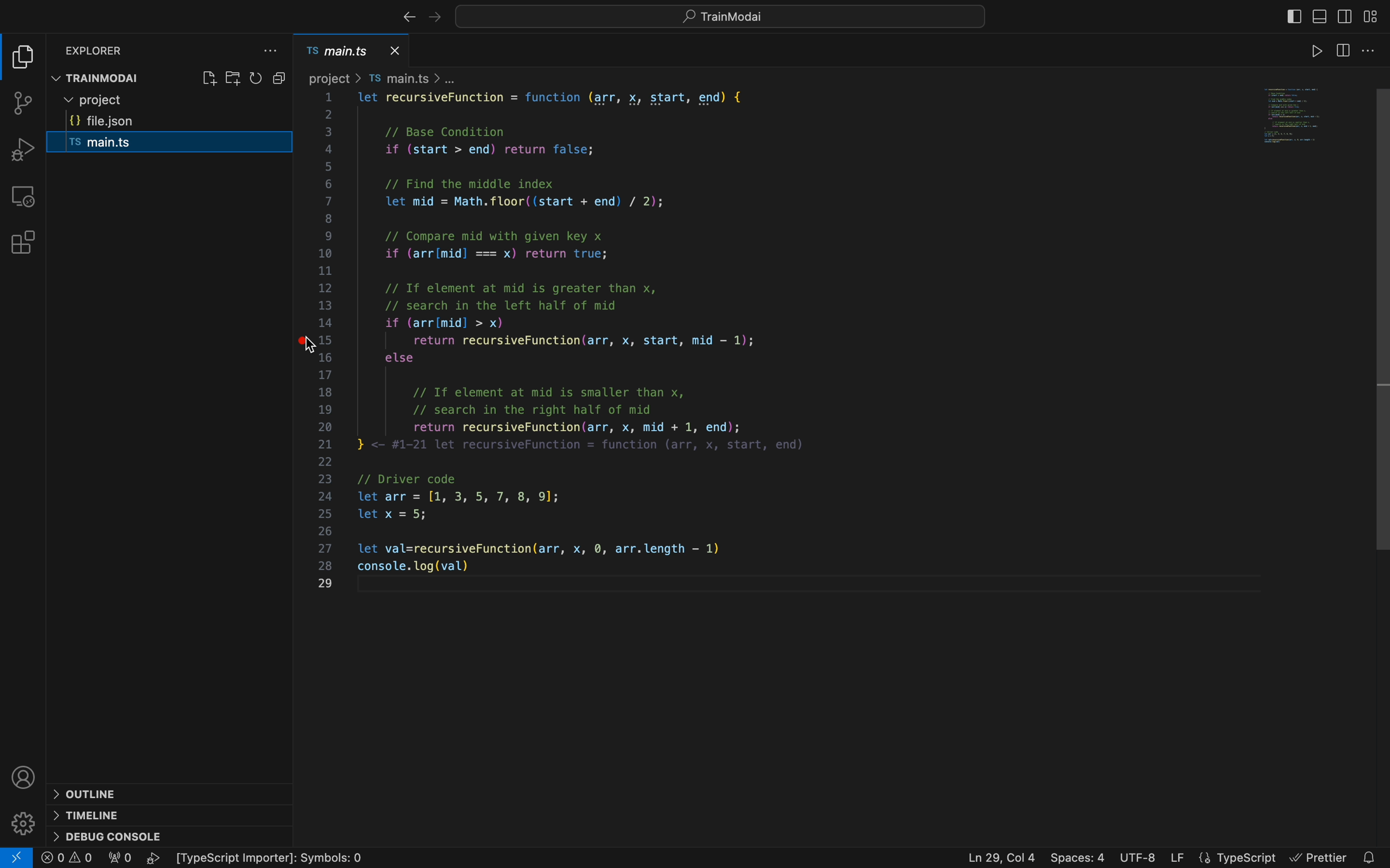  I want to click on debugger, so click(25, 148).